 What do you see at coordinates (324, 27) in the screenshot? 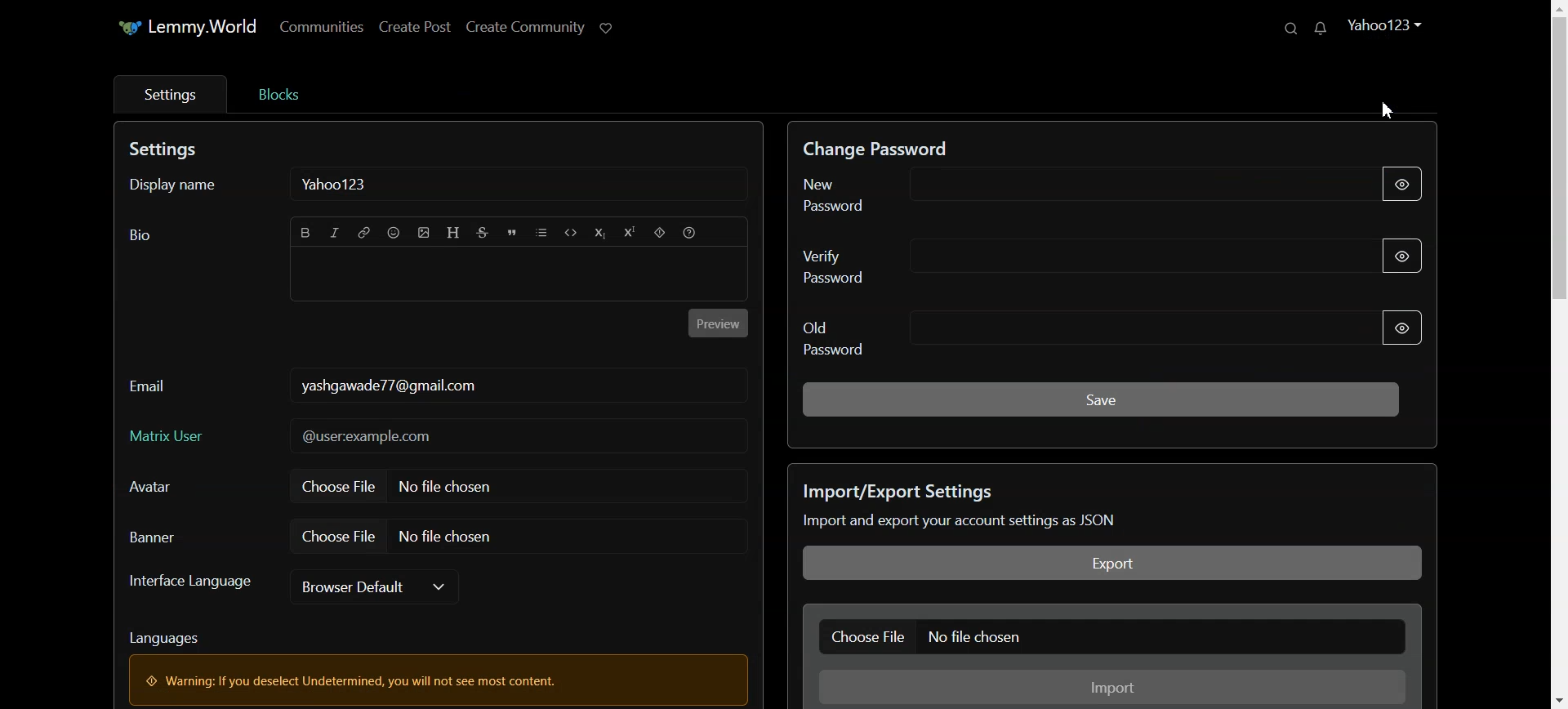
I see `Communities` at bounding box center [324, 27].